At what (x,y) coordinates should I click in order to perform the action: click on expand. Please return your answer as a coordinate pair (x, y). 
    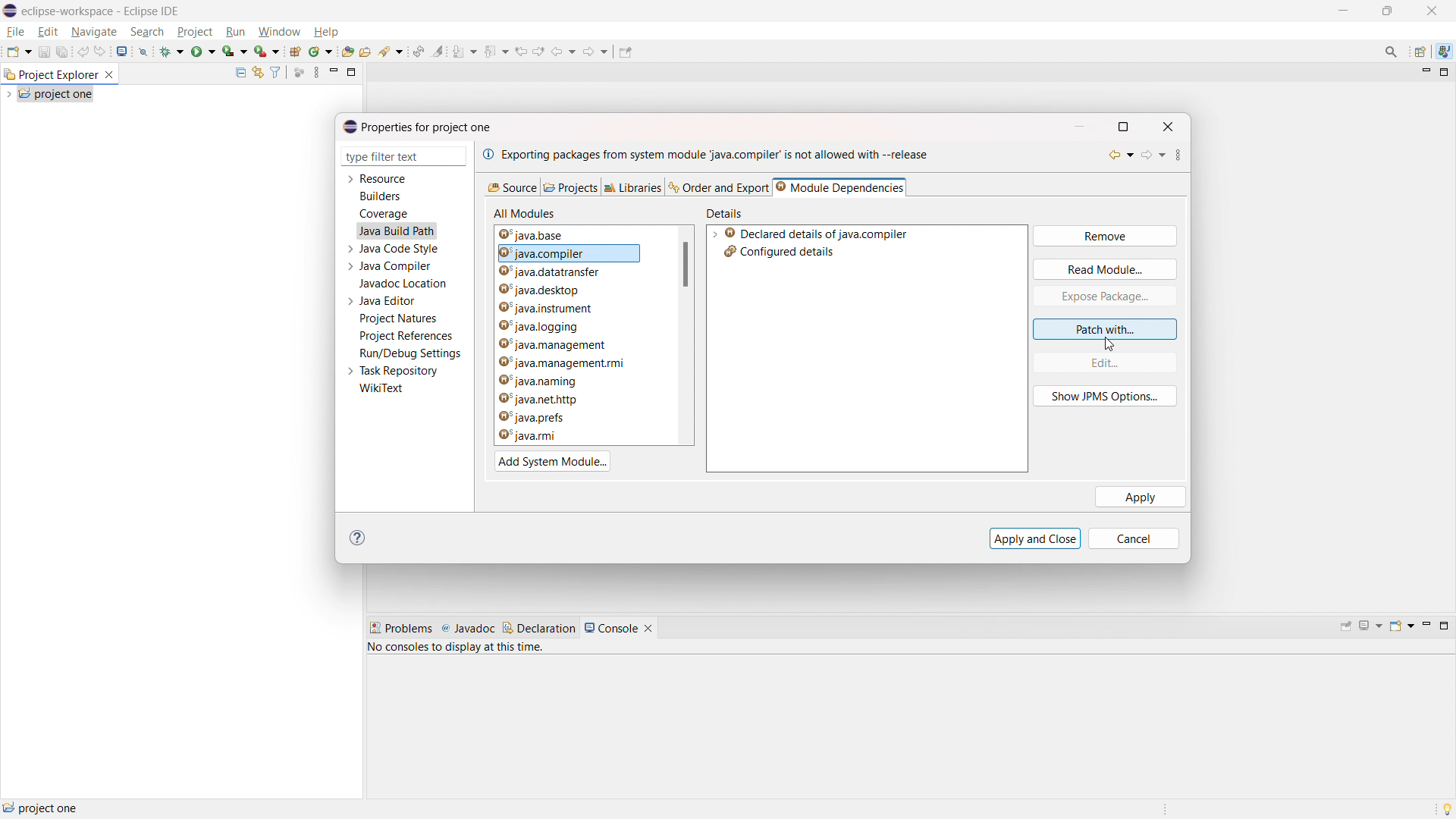
    Looking at the image, I should click on (714, 234).